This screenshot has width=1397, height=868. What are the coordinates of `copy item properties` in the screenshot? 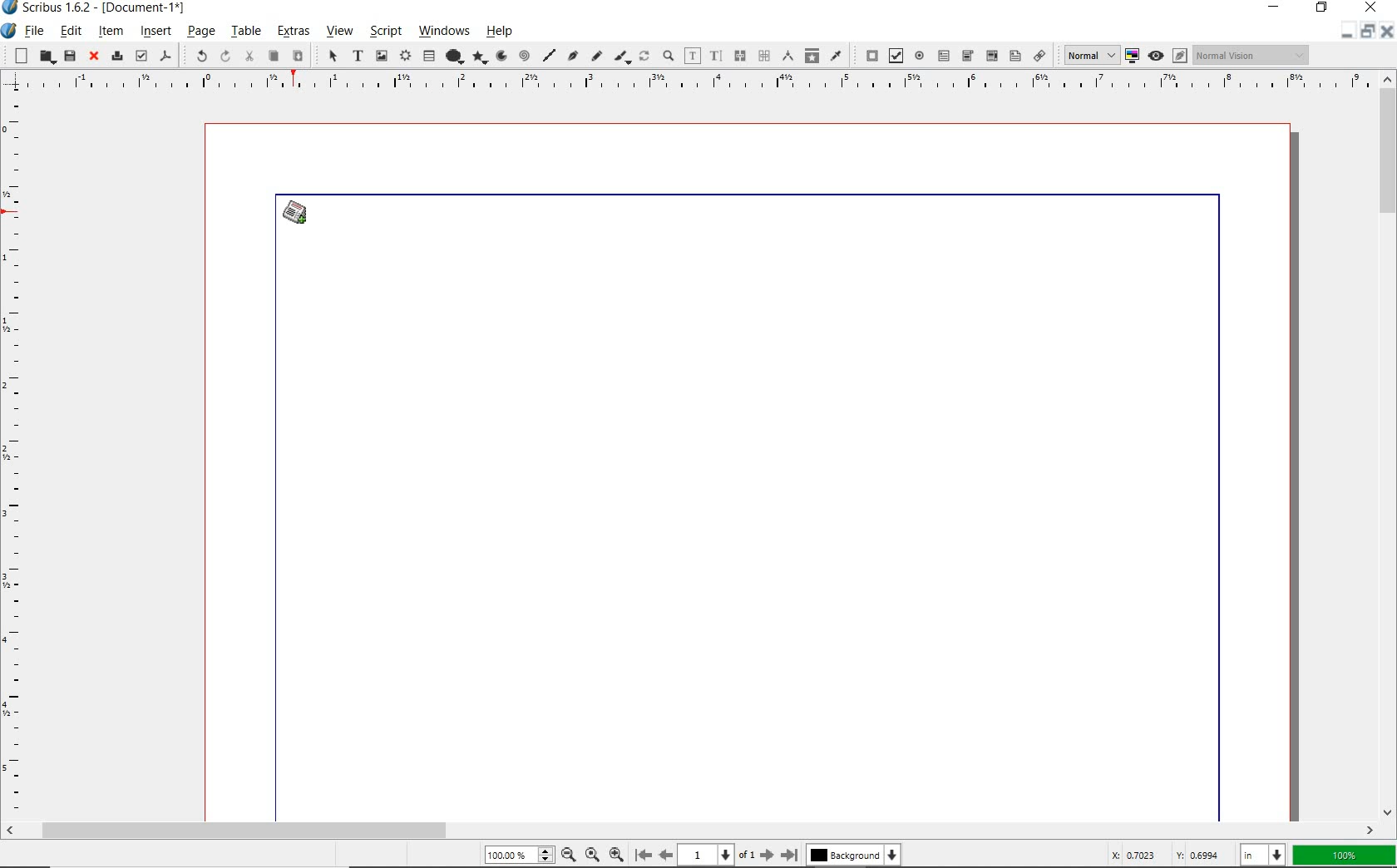 It's located at (811, 55).